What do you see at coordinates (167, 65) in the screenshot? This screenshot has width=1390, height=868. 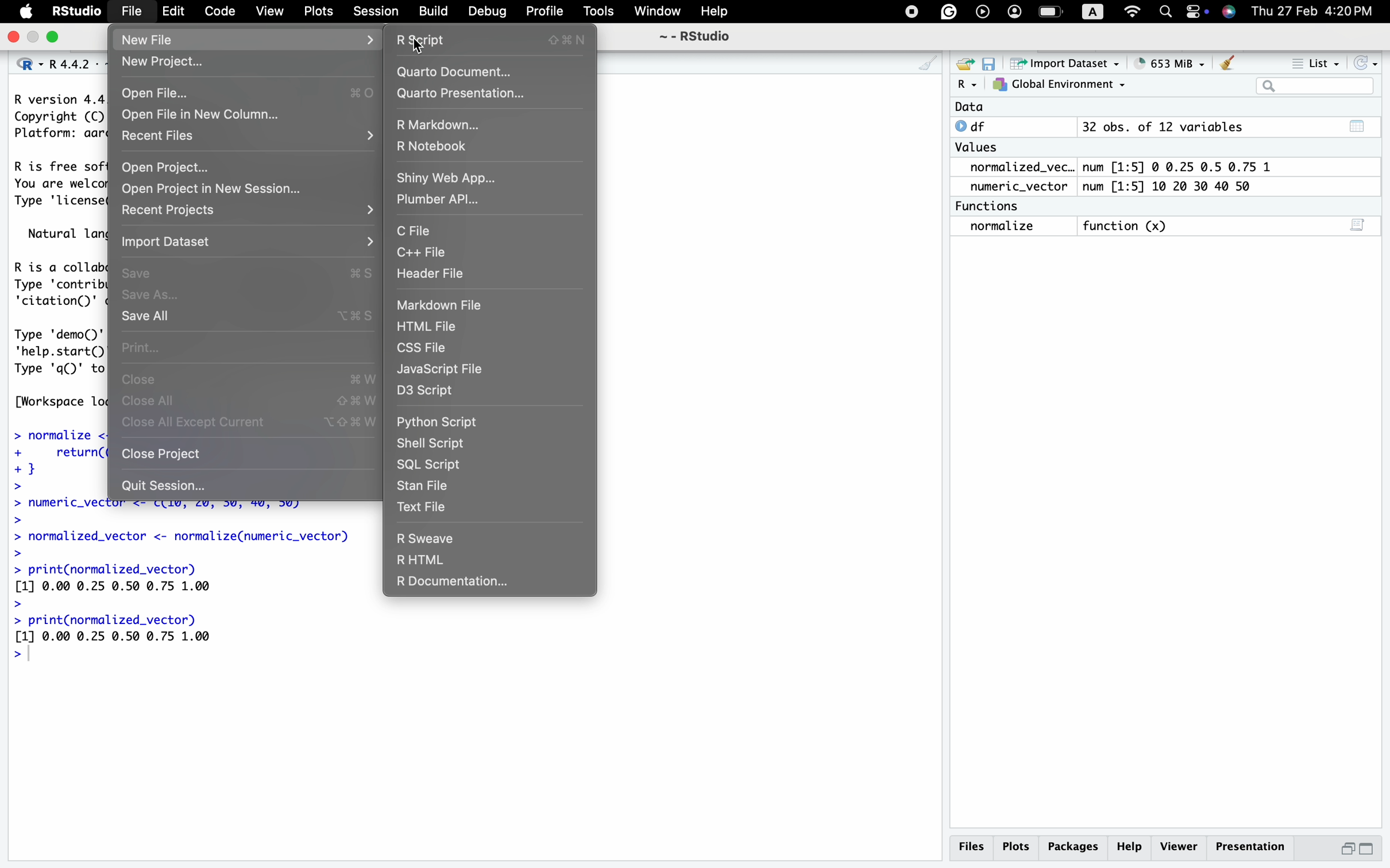 I see `New Project` at bounding box center [167, 65].